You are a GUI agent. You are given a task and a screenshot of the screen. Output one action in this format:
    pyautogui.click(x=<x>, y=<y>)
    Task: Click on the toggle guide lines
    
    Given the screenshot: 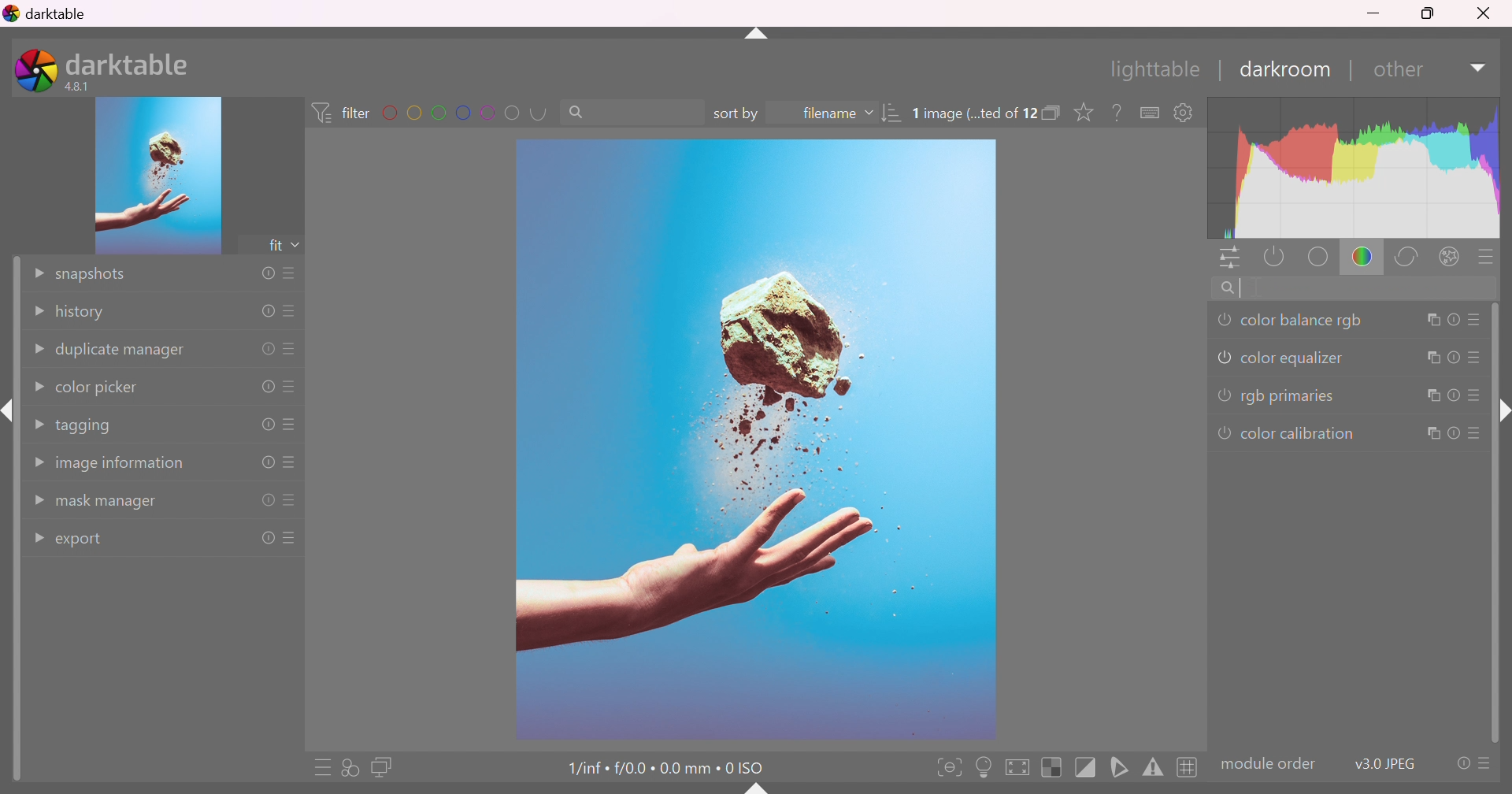 What is the action you would take?
    pyautogui.click(x=1186, y=768)
    